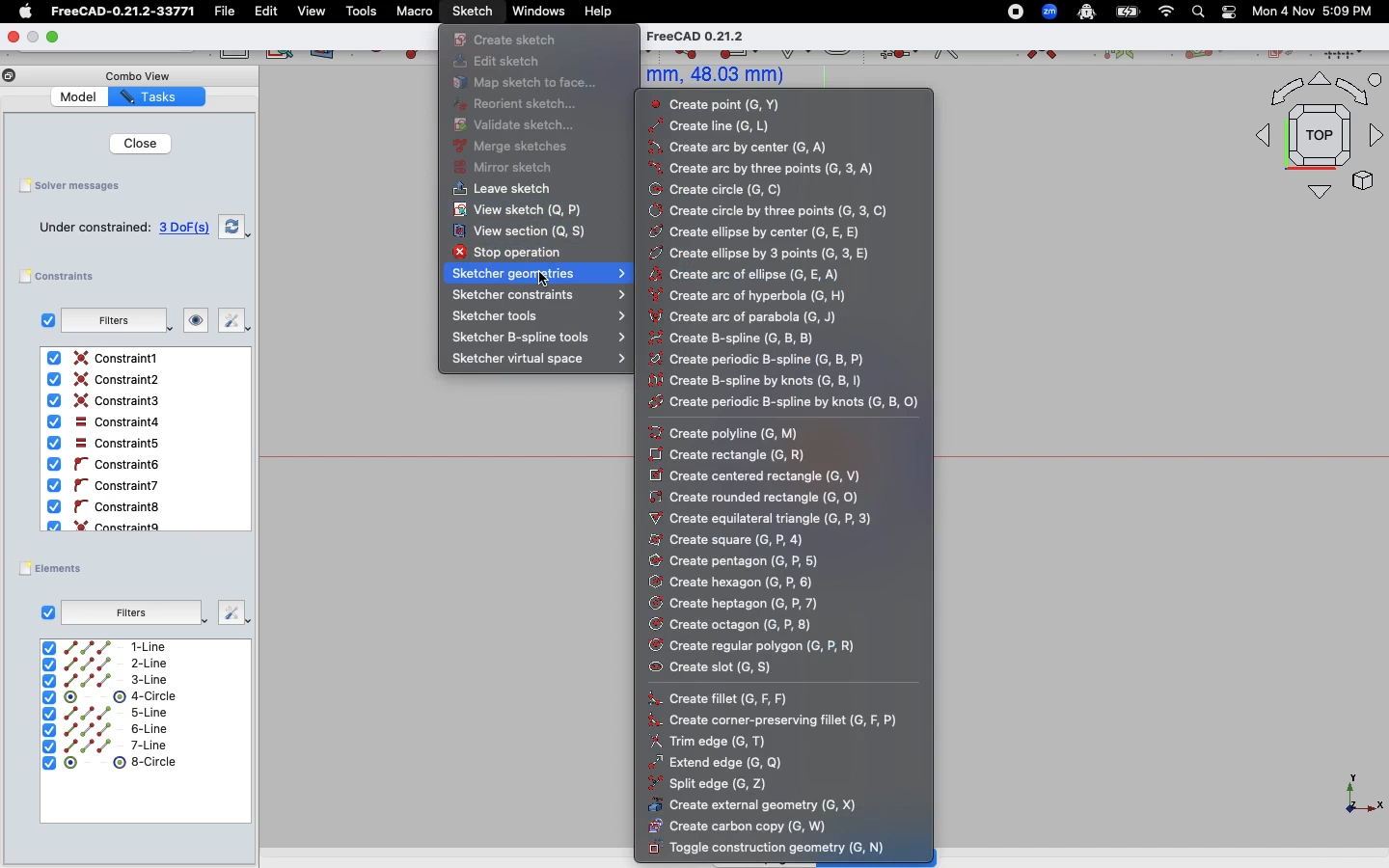 This screenshot has width=1389, height=868. Describe the element at coordinates (537, 318) in the screenshot. I see `Sketcher tools` at that location.